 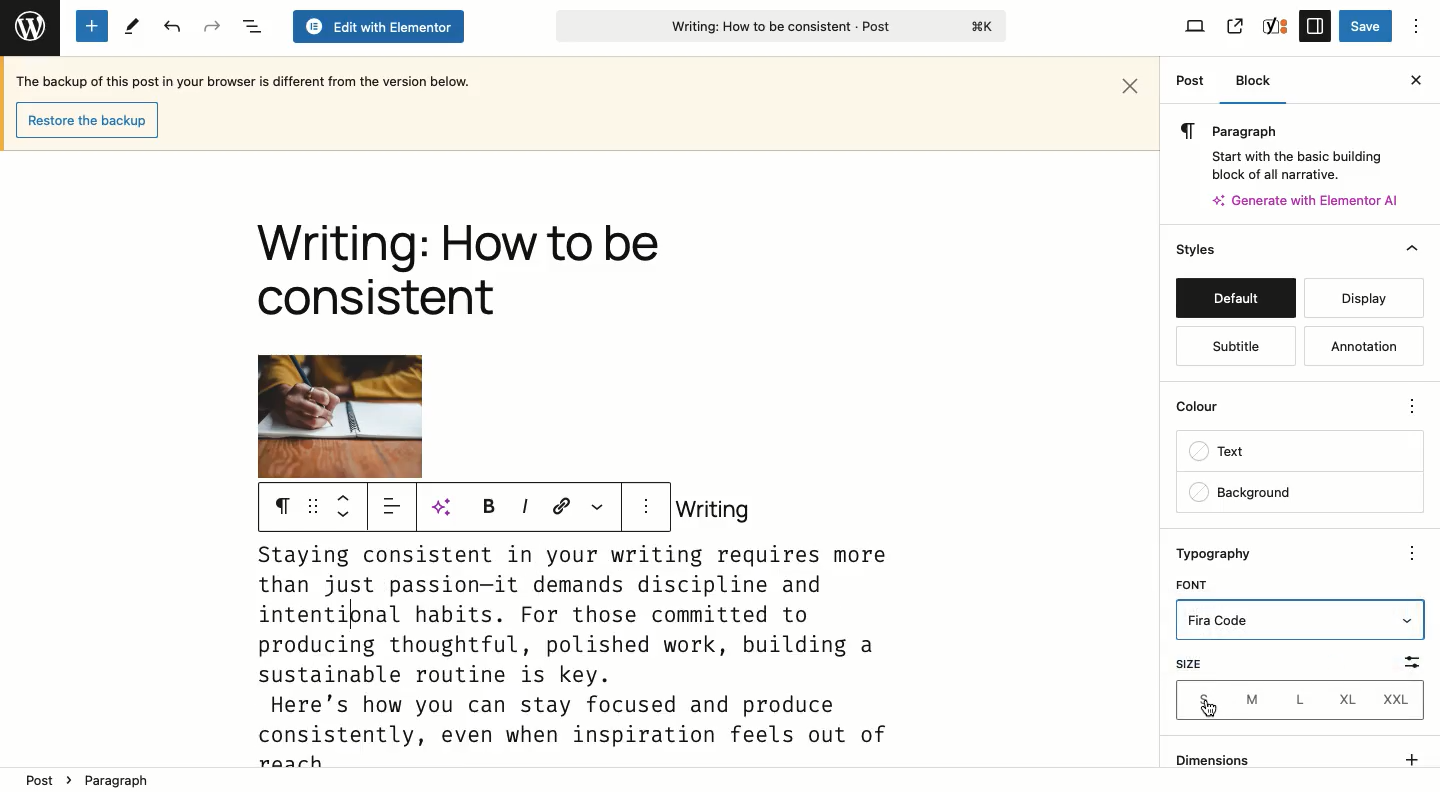 I want to click on More, so click(x=1414, y=404).